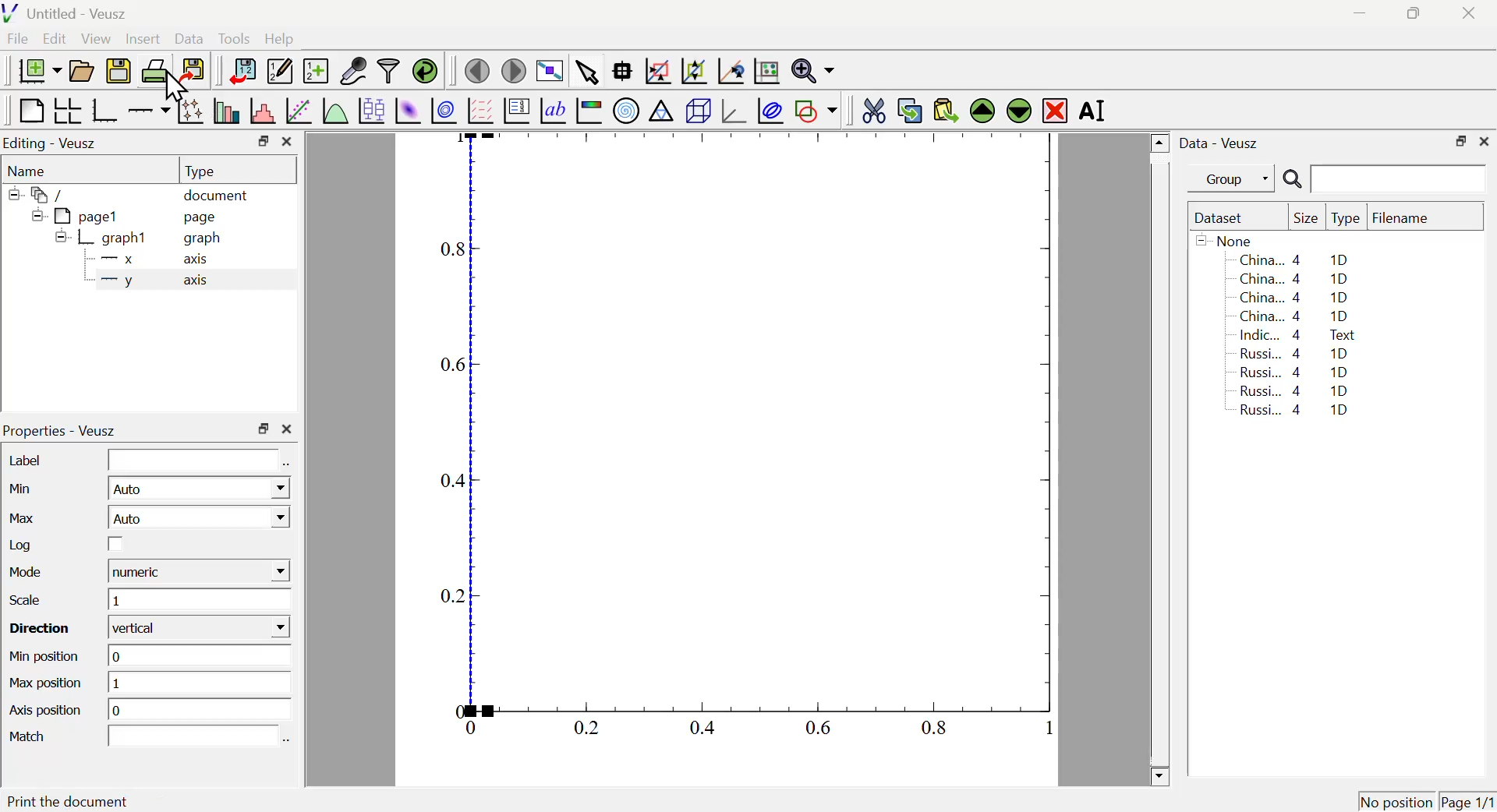 This screenshot has width=1497, height=812. I want to click on Rename, so click(1095, 110).